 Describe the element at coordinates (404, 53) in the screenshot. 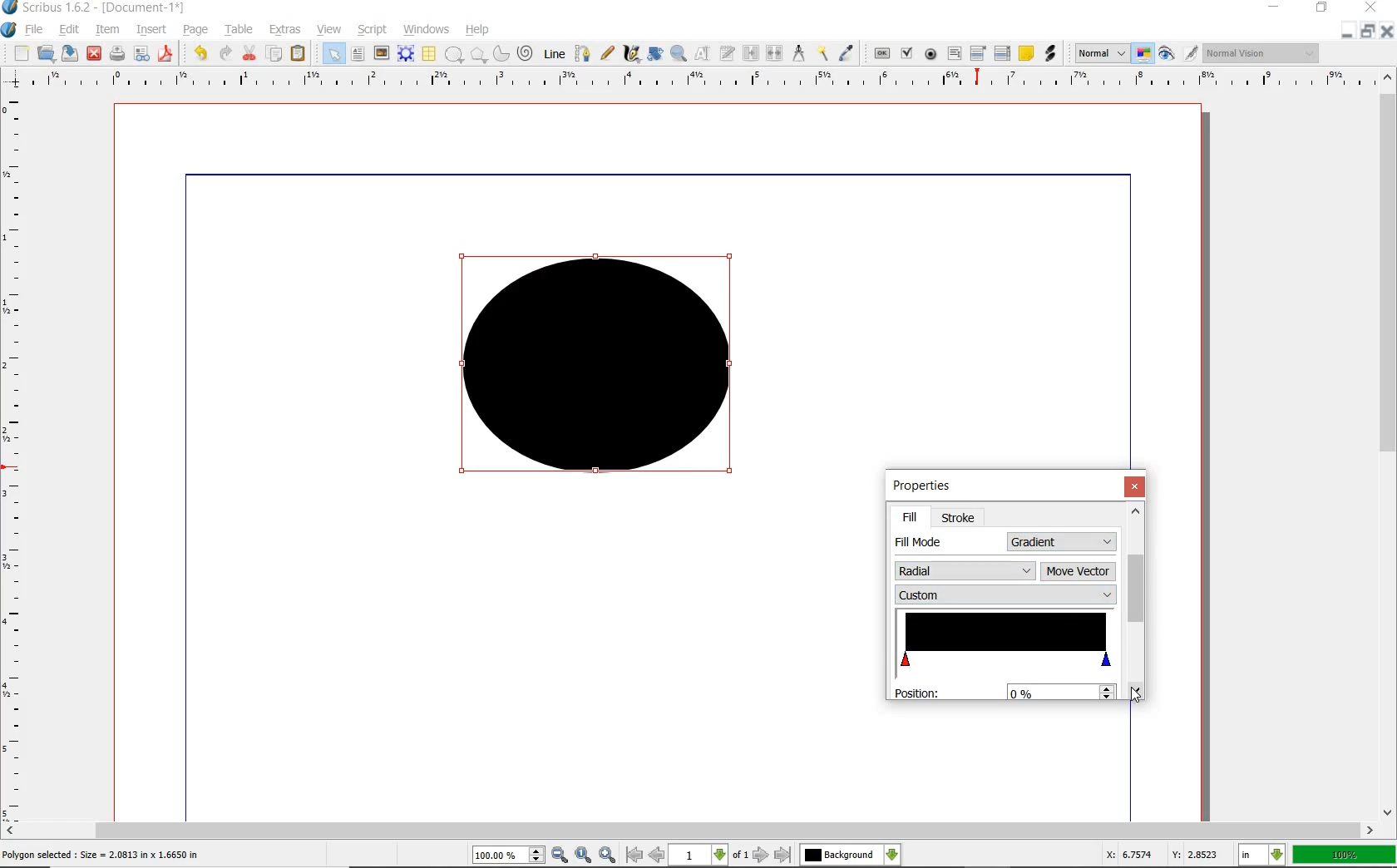

I see `RENDER FRAME` at that location.